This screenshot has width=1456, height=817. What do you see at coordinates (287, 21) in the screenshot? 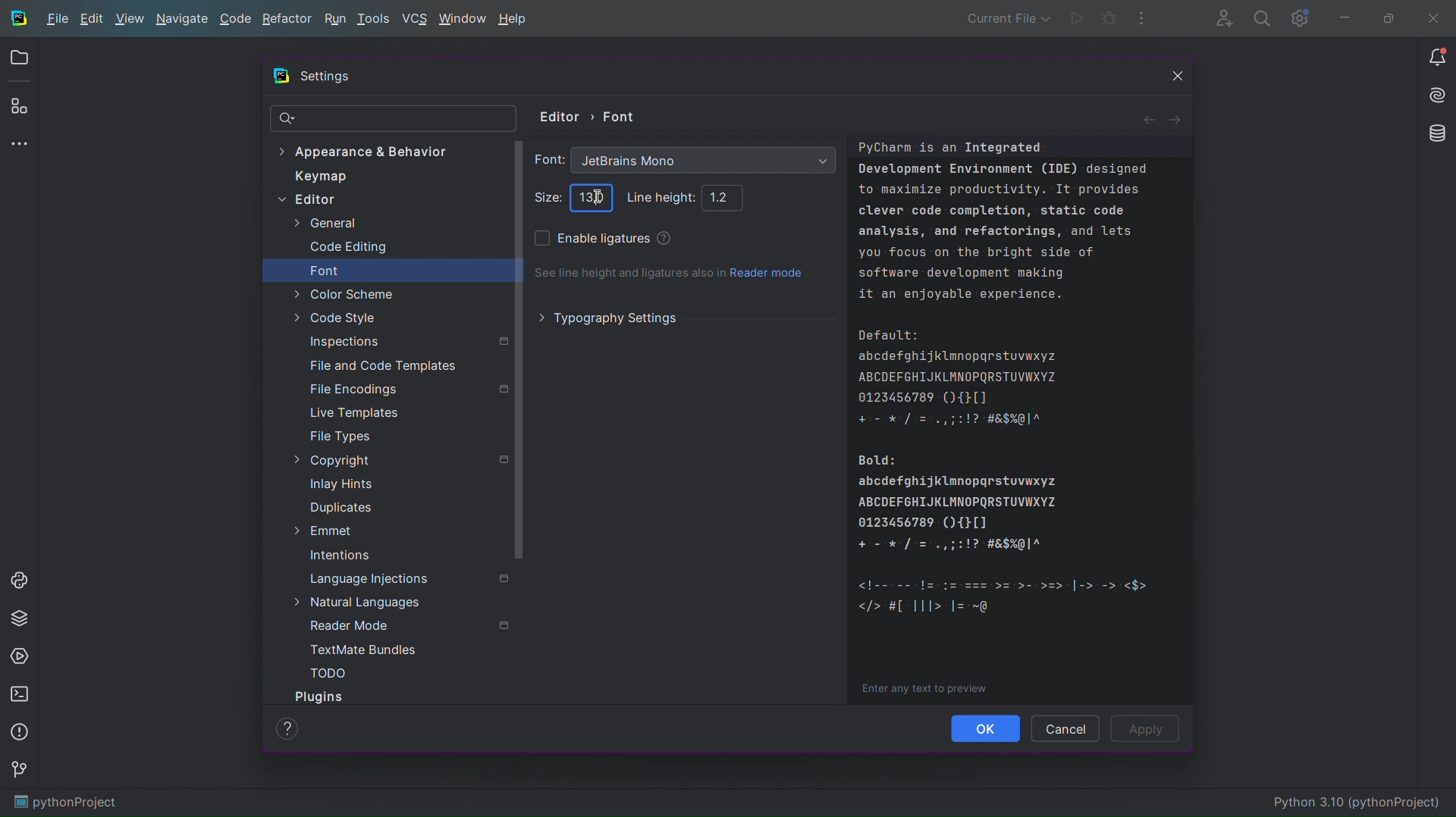
I see `Refactor` at bounding box center [287, 21].